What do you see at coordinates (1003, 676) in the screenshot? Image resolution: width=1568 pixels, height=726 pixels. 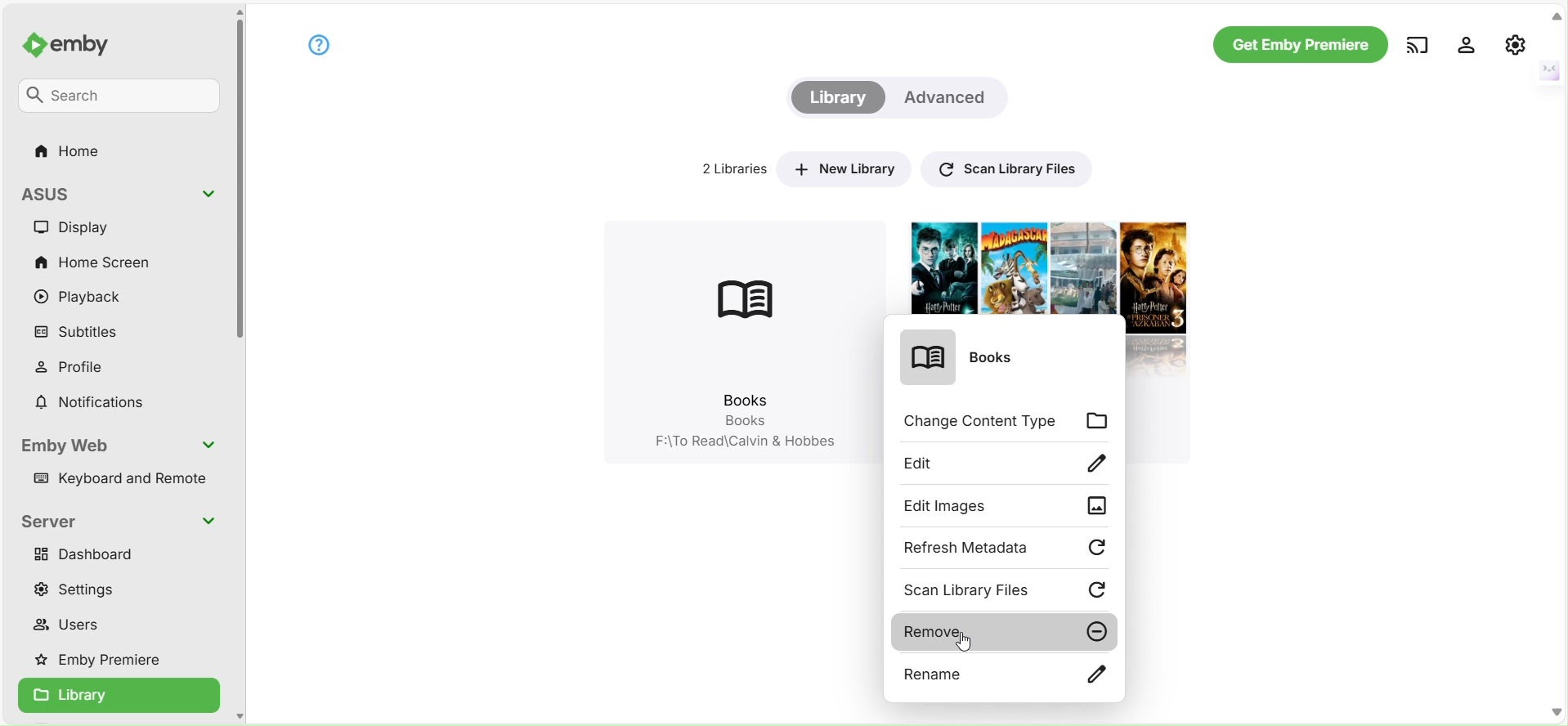 I see `Rename` at bounding box center [1003, 676].